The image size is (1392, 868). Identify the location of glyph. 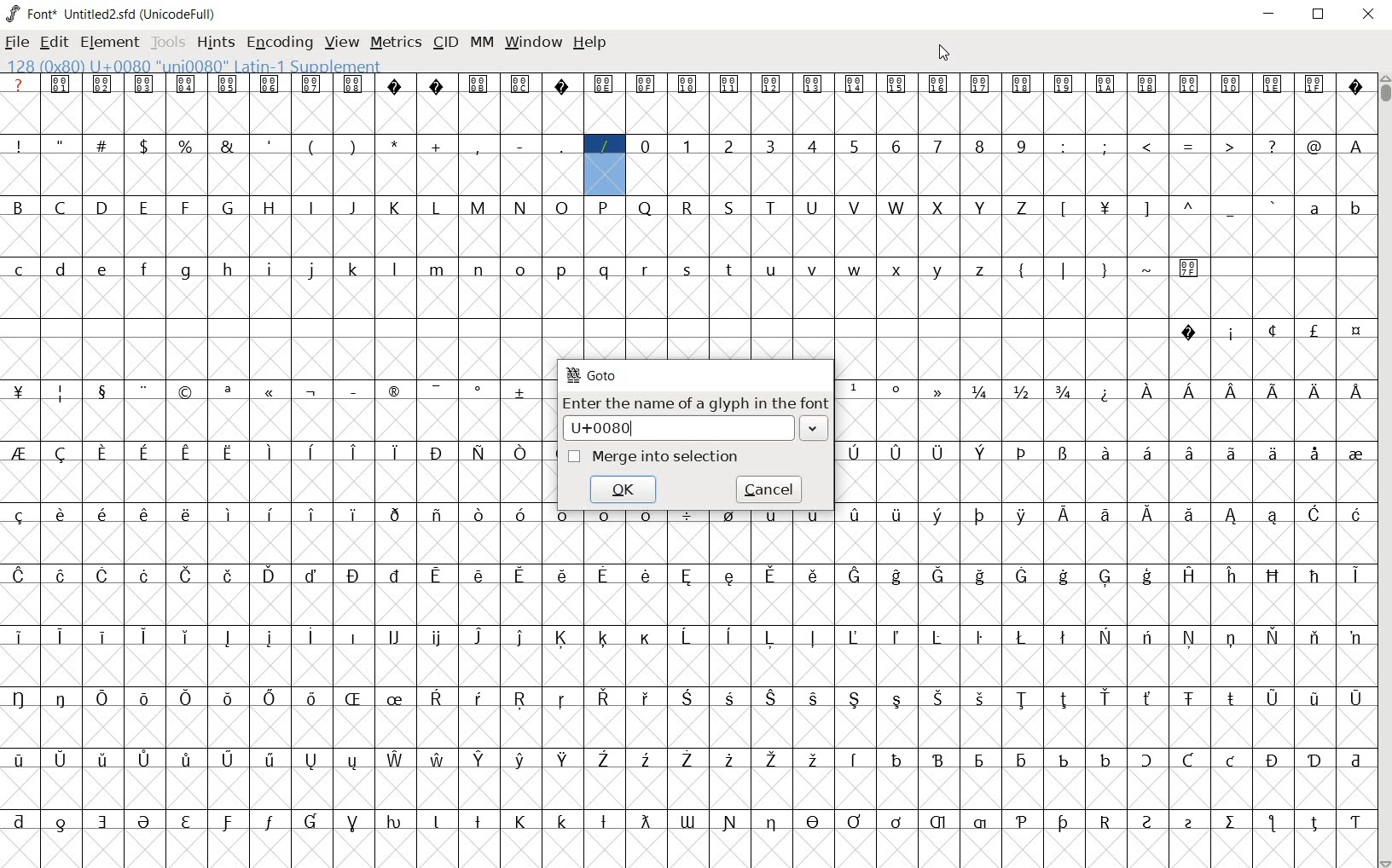
(1273, 699).